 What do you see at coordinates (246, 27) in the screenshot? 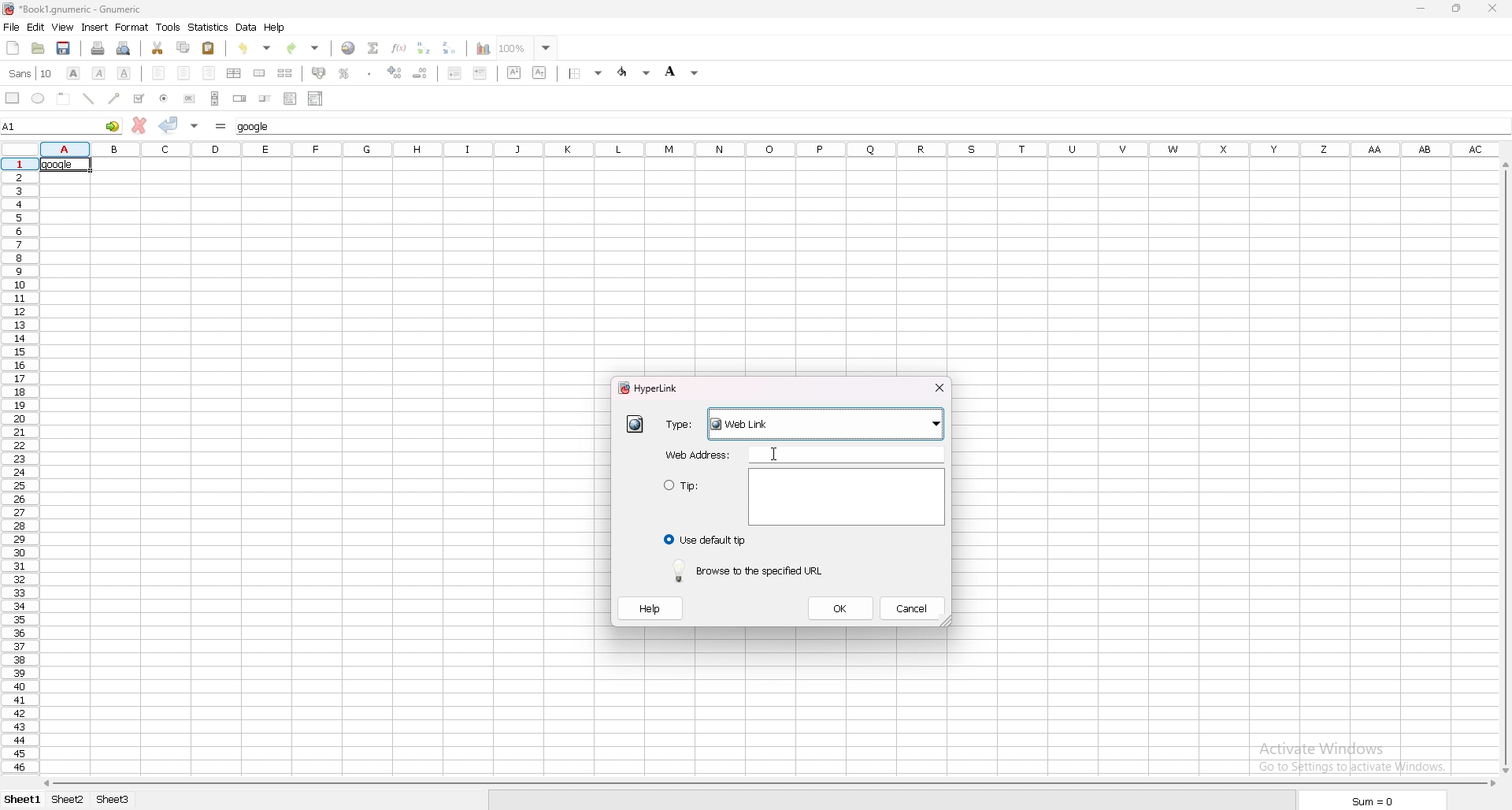
I see `data` at bounding box center [246, 27].